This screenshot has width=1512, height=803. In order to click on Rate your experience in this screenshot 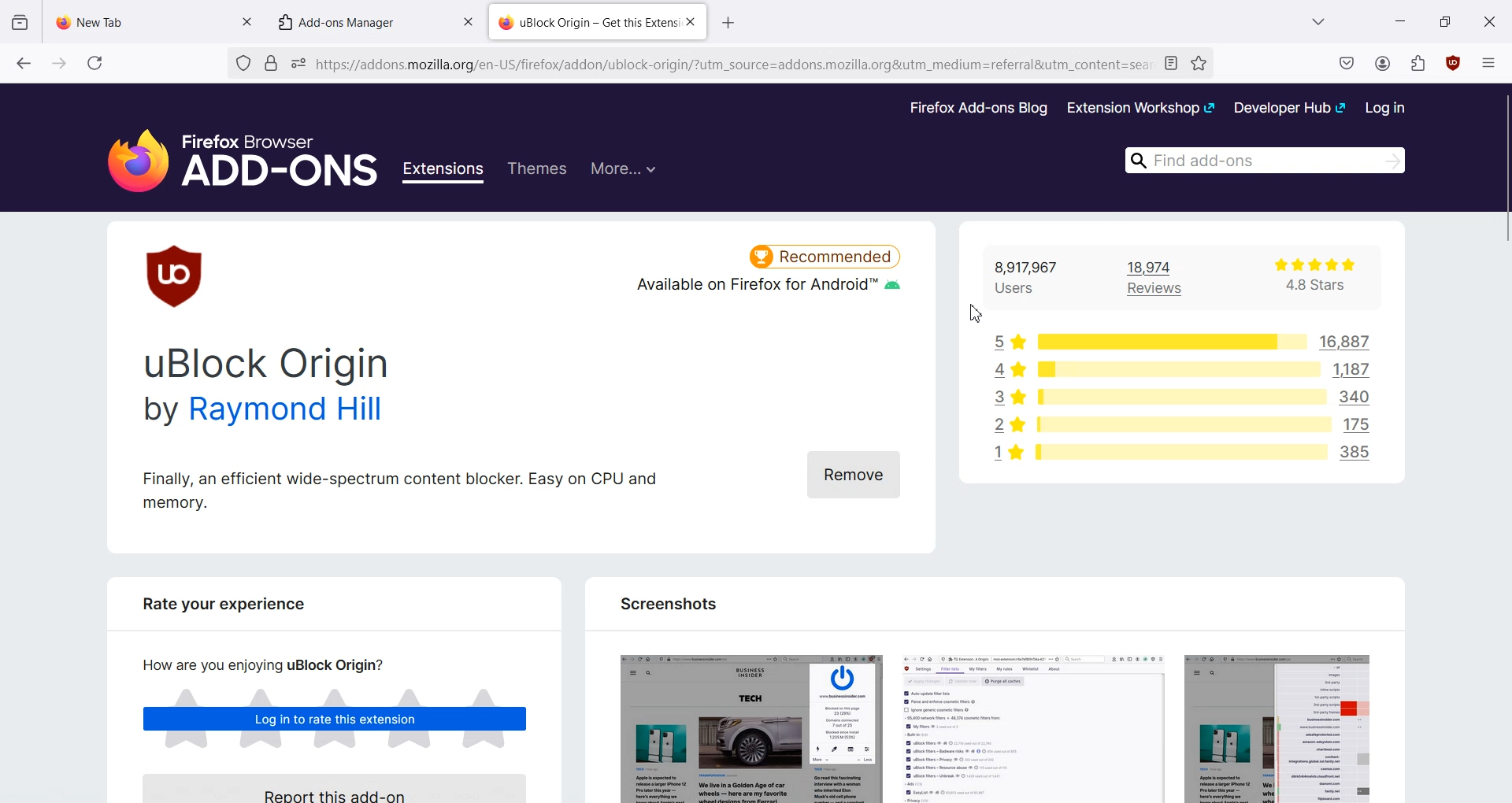, I will do `click(216, 609)`.